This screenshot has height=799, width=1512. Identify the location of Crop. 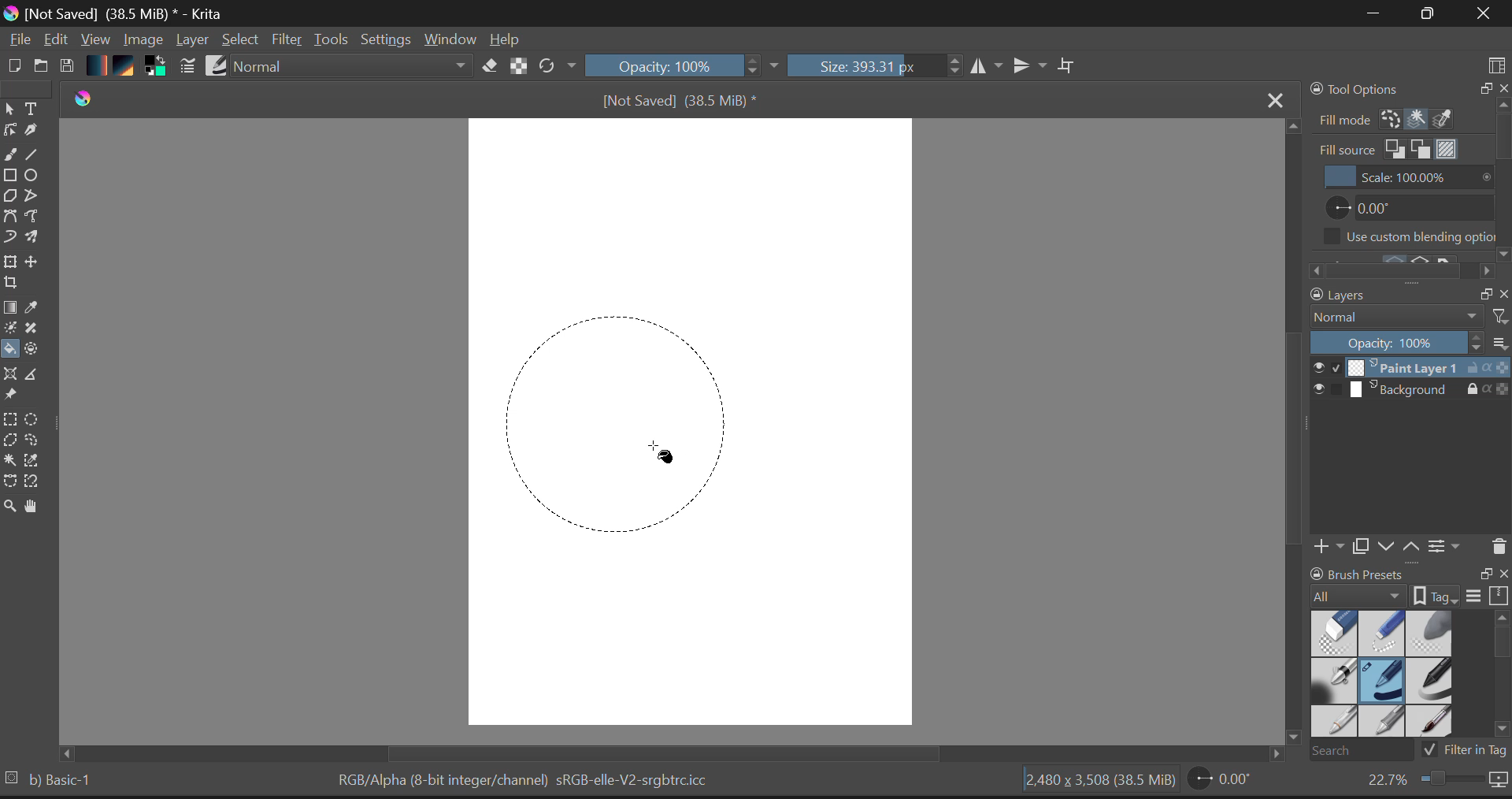
(1067, 66).